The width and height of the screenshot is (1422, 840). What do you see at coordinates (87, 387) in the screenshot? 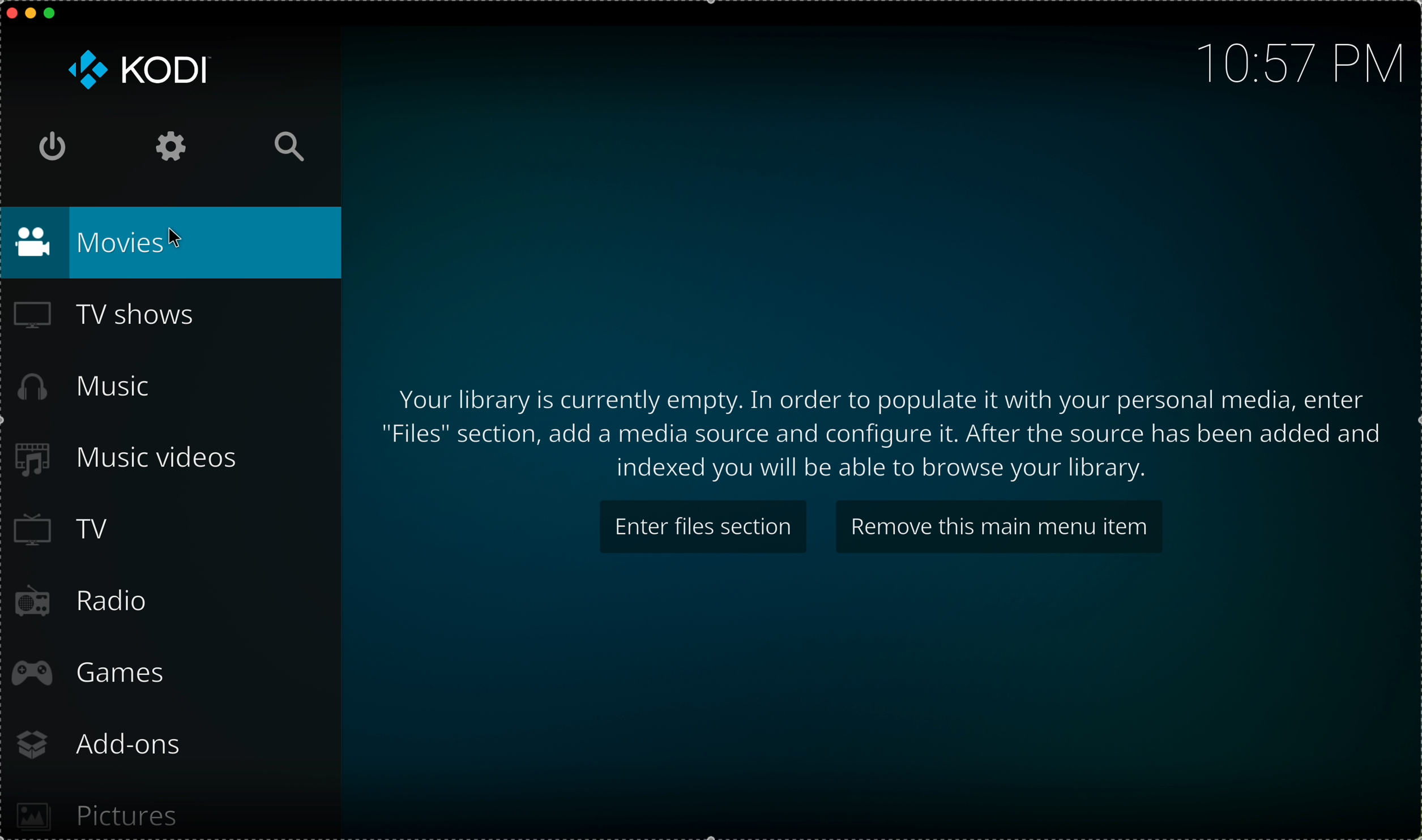
I see `music` at bounding box center [87, 387].